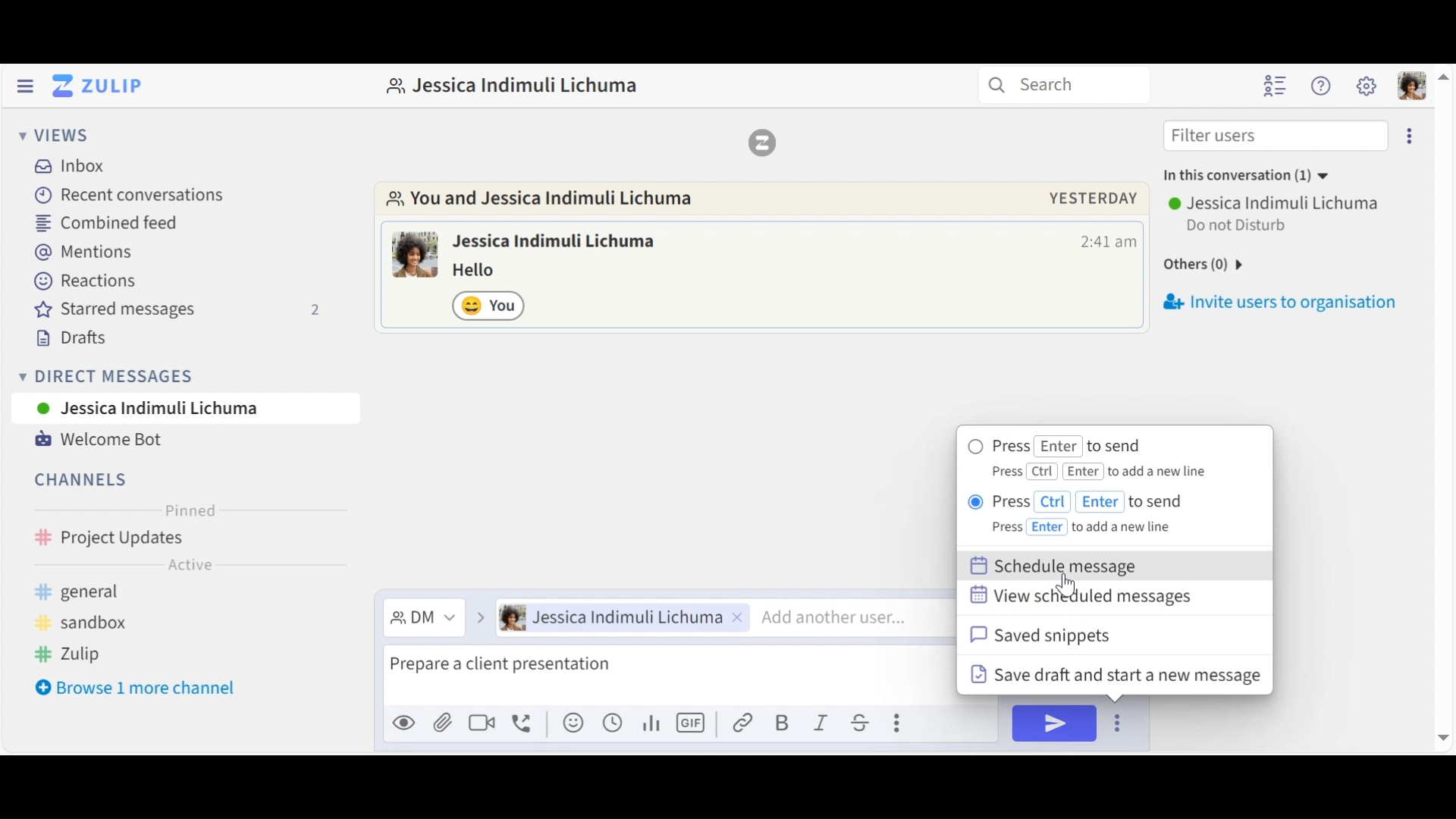 This screenshot has width=1456, height=819. What do you see at coordinates (24, 86) in the screenshot?
I see `Hide Left Sidebar` at bounding box center [24, 86].